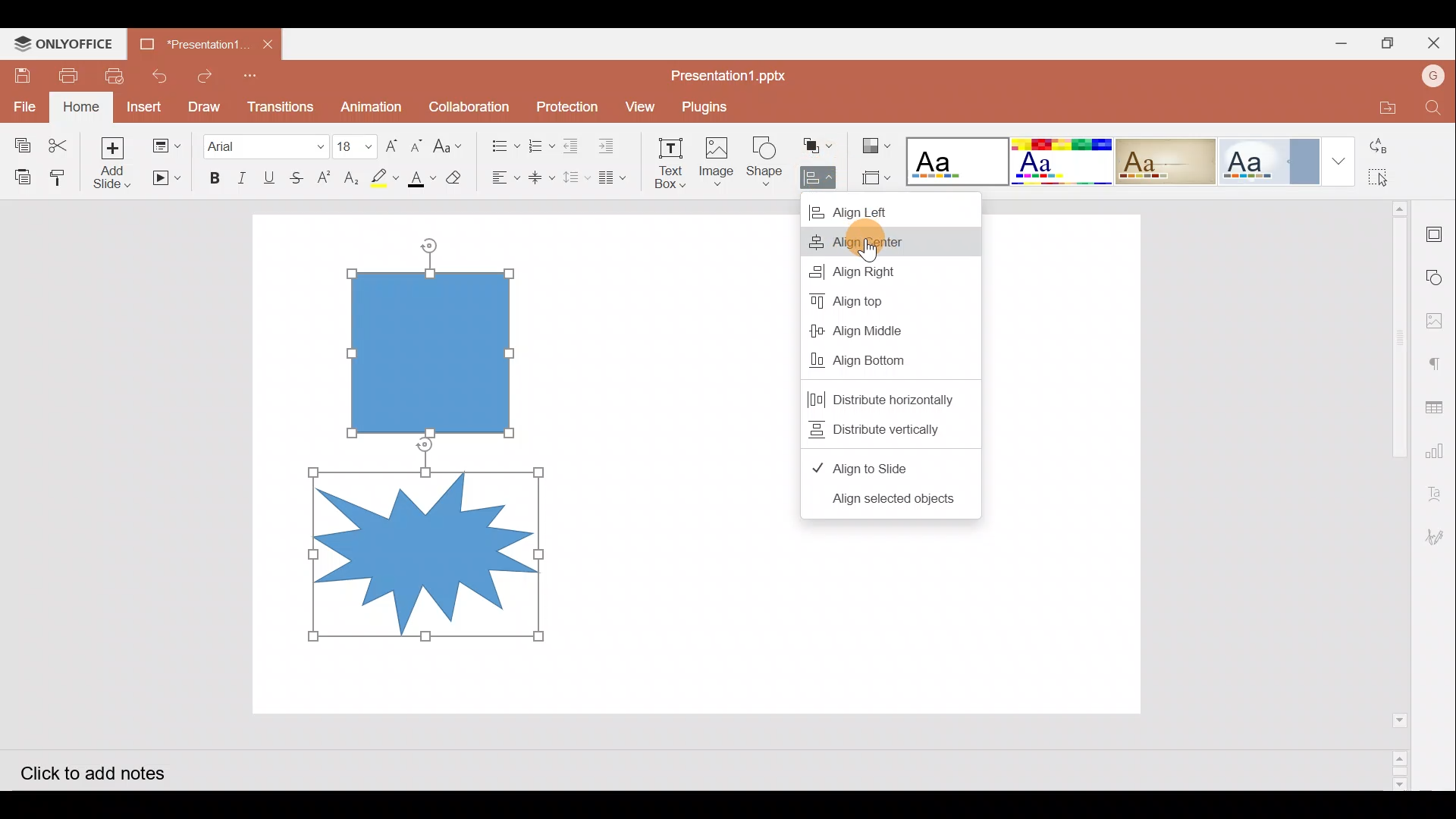 The image size is (1456, 819). I want to click on Cut, so click(58, 140).